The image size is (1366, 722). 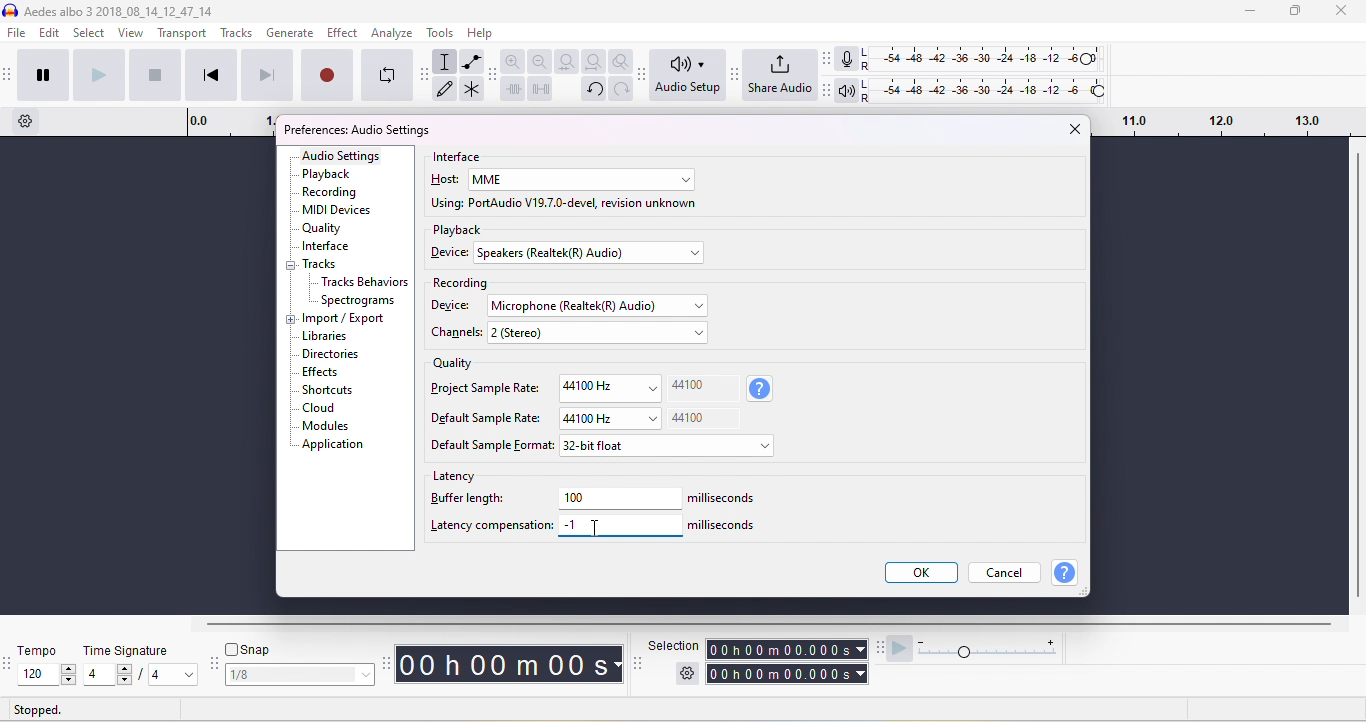 What do you see at coordinates (594, 89) in the screenshot?
I see `undo` at bounding box center [594, 89].